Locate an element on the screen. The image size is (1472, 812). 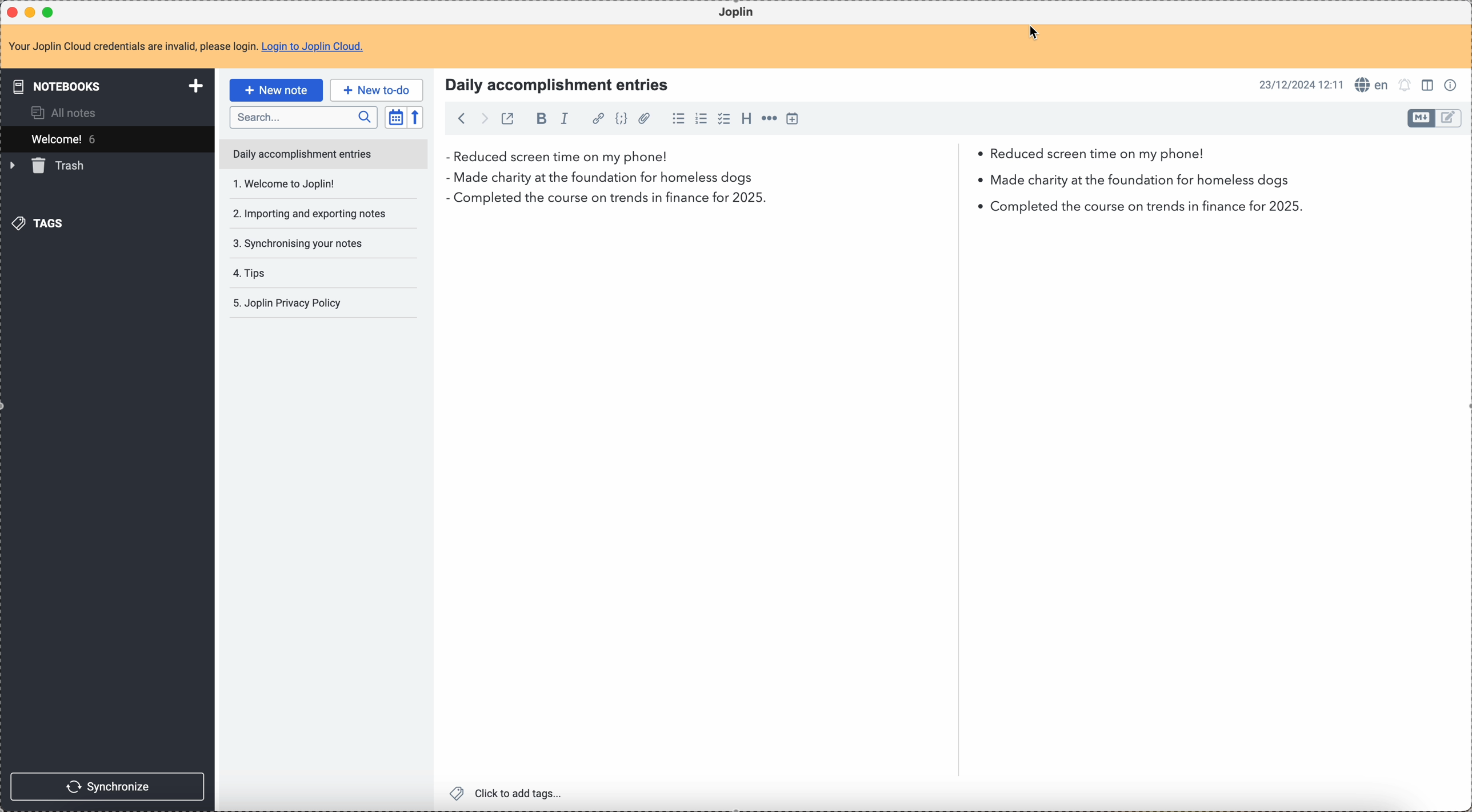
synchronize is located at coordinates (107, 785).